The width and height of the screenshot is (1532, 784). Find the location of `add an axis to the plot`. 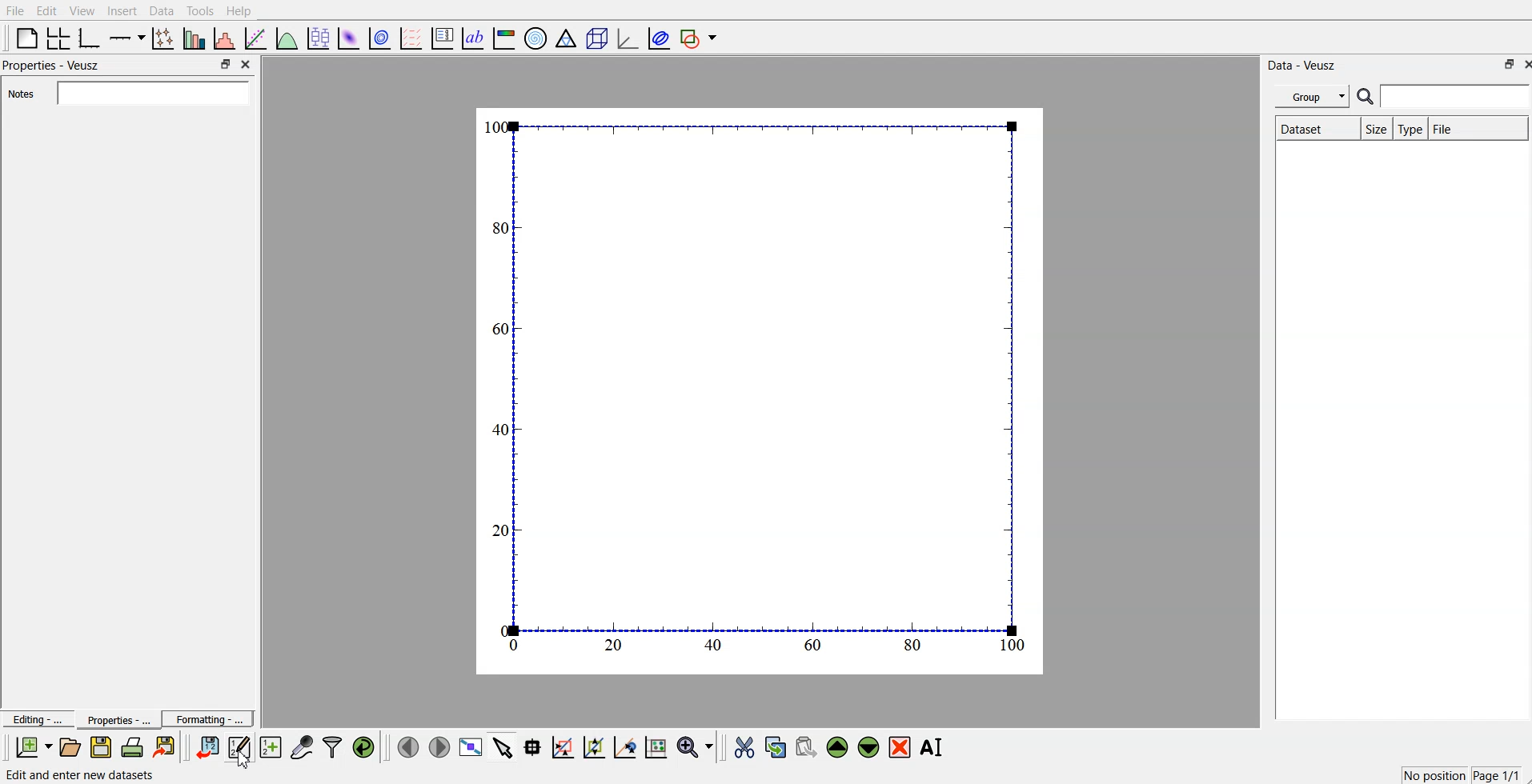

add an axis to the plot is located at coordinates (127, 37).